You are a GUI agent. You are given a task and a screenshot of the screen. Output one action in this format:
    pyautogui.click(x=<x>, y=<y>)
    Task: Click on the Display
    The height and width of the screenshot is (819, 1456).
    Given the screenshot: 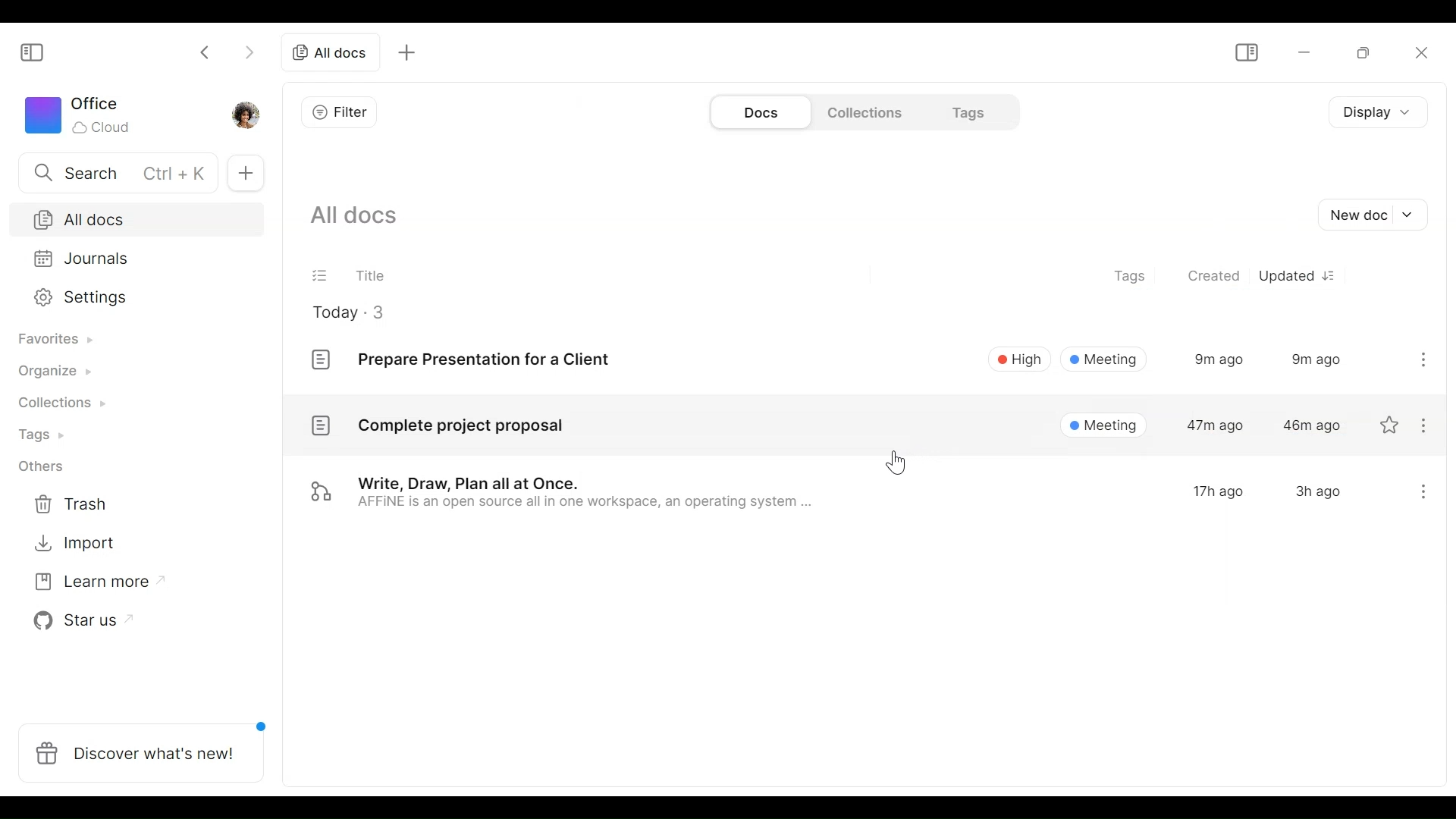 What is the action you would take?
    pyautogui.click(x=1376, y=111)
    